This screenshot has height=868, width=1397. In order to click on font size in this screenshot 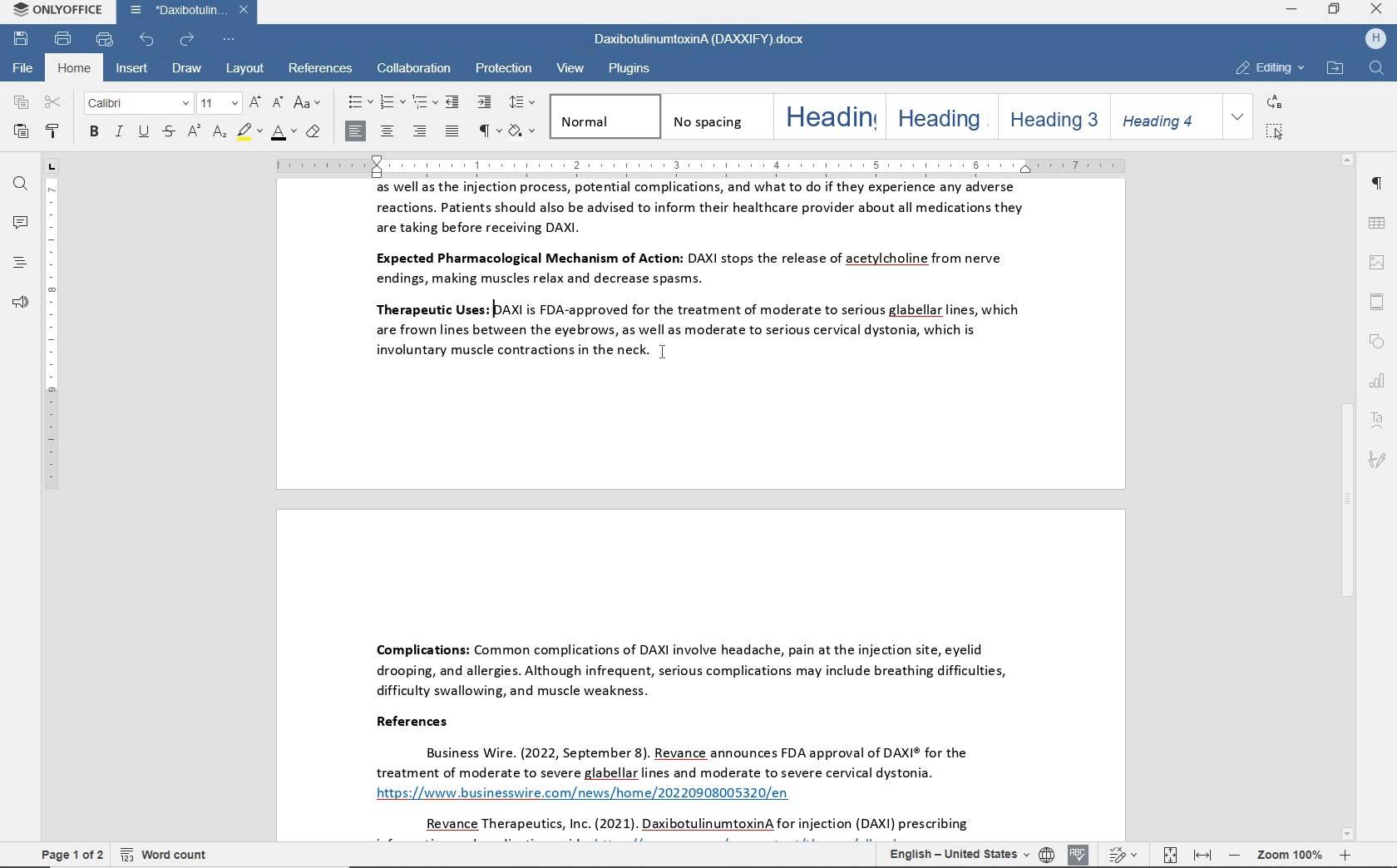, I will do `click(217, 104)`.